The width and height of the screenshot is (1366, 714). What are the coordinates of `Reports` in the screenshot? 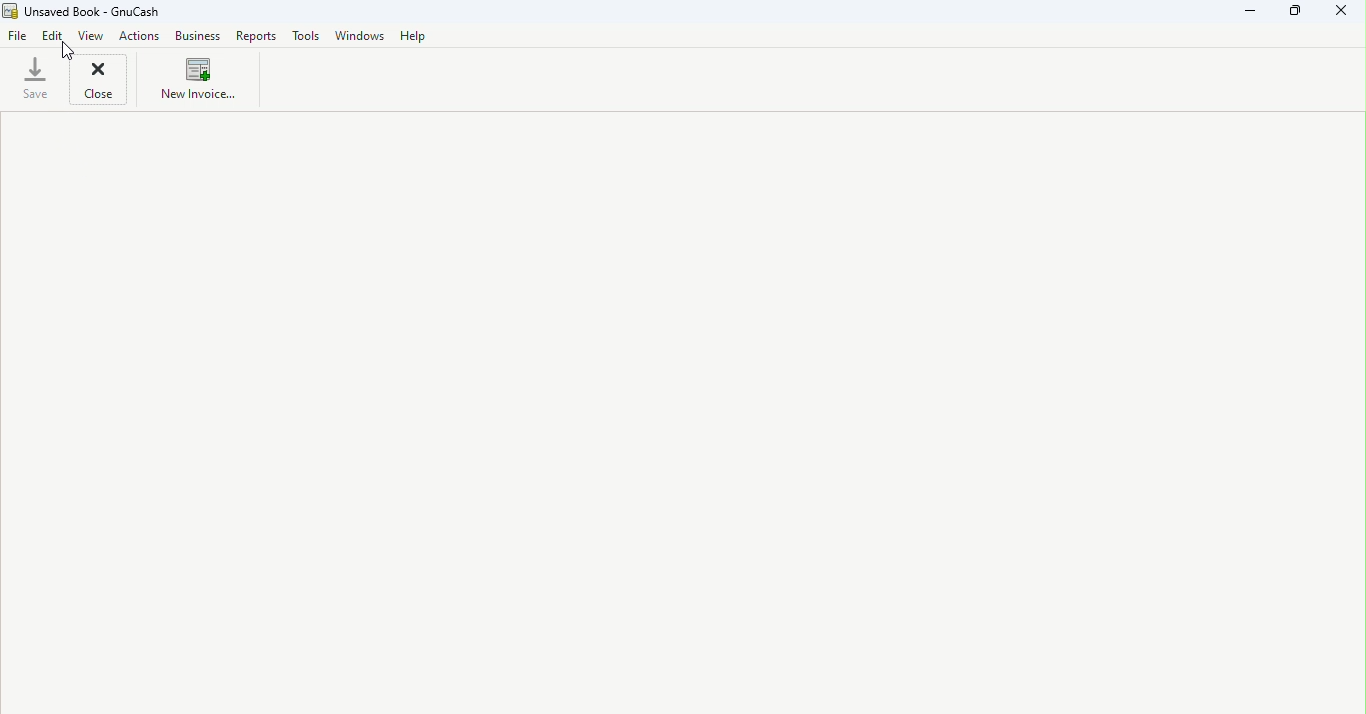 It's located at (261, 38).